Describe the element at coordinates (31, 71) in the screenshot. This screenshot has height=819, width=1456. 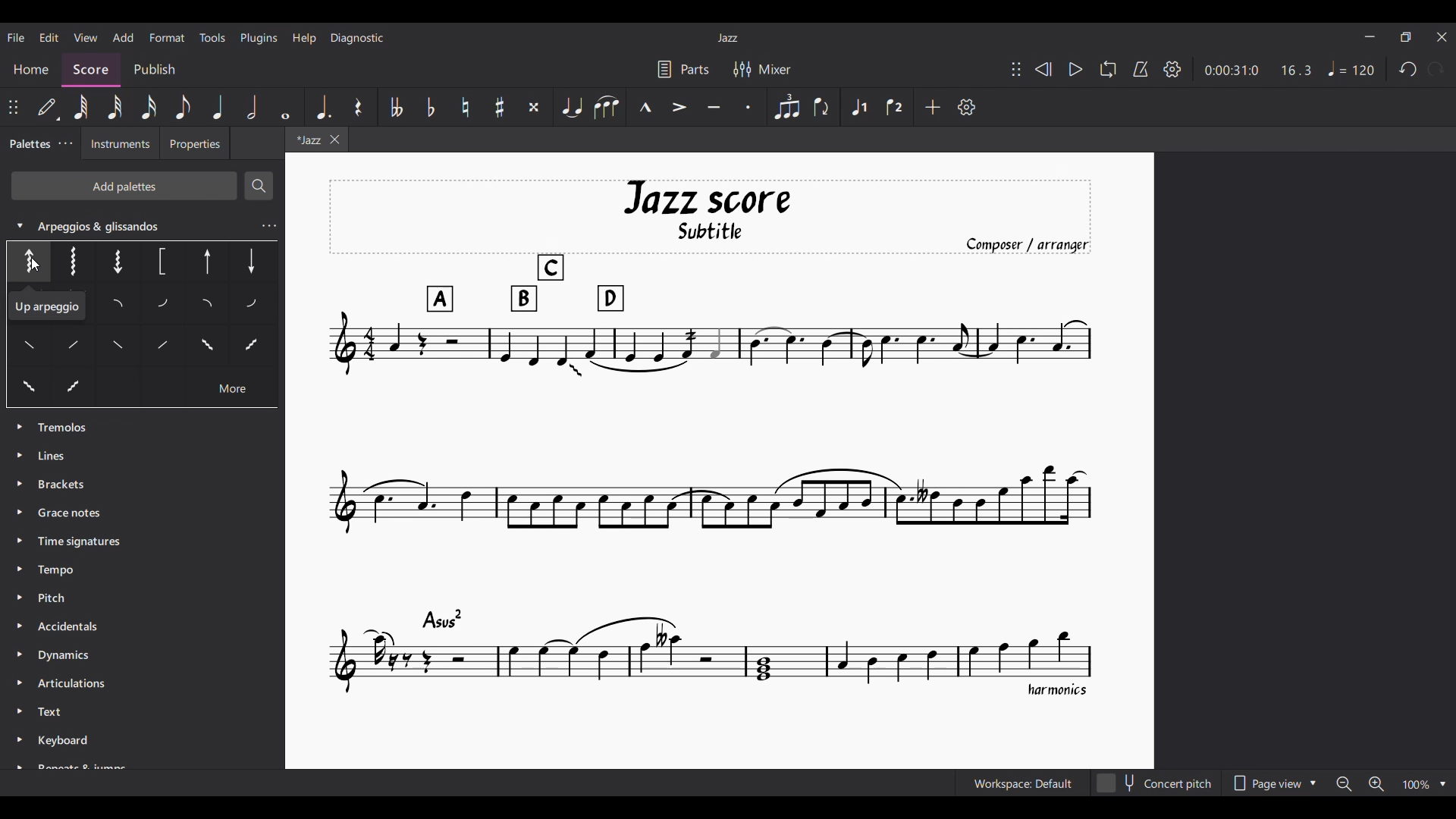
I see `Home section` at that location.